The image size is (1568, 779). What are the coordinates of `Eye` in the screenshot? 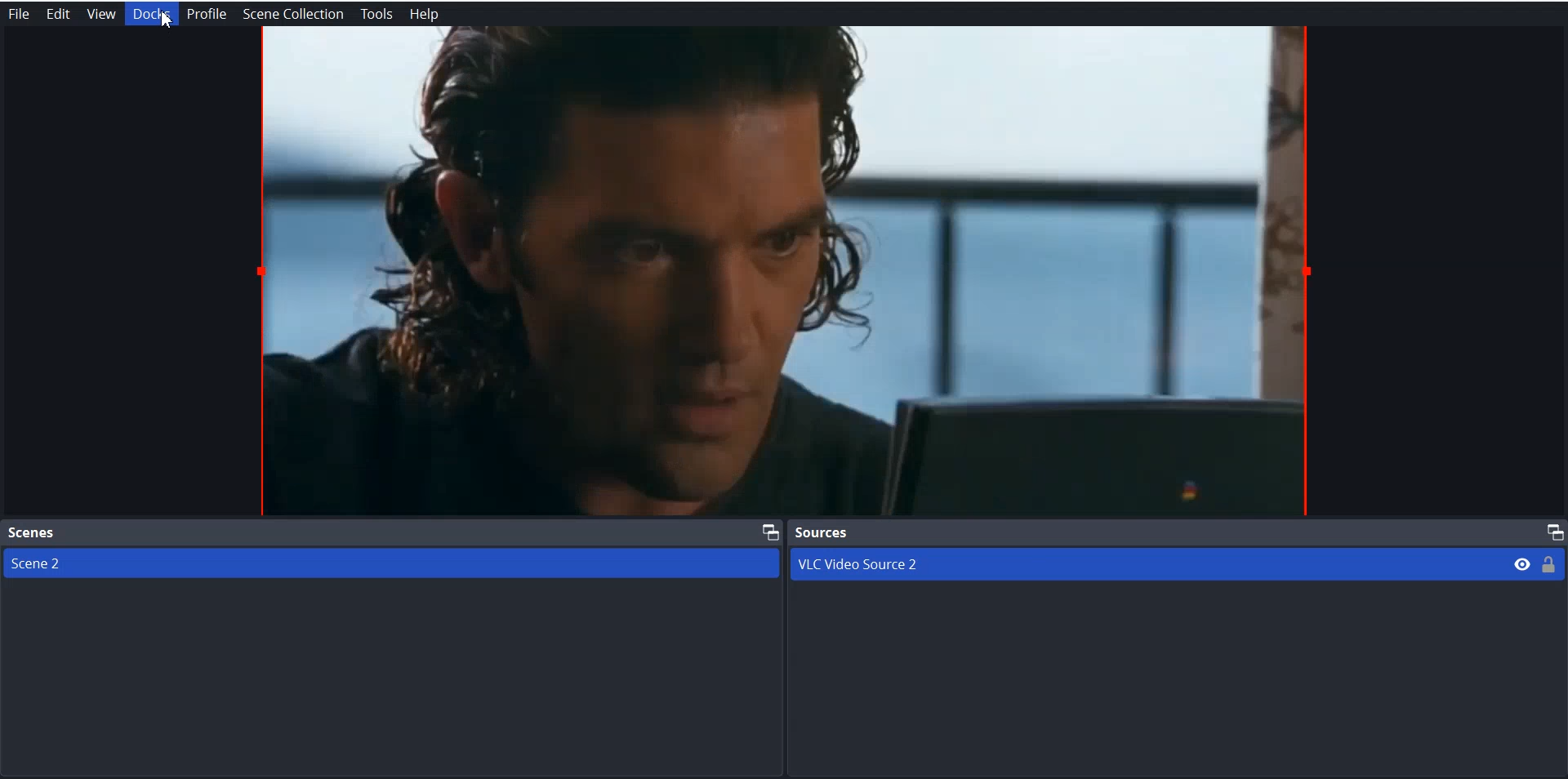 It's located at (1522, 563).